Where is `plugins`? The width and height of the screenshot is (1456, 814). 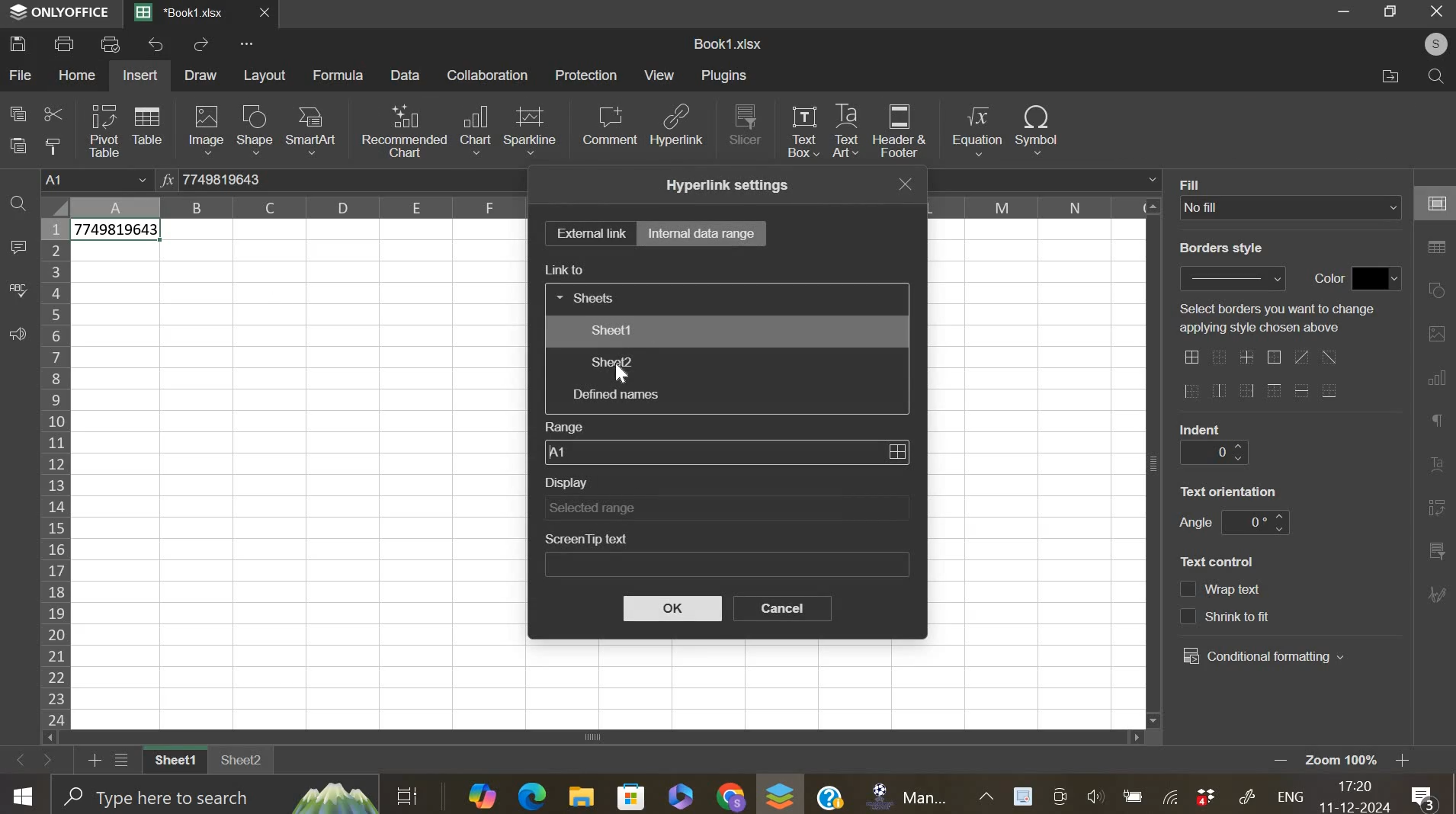 plugins is located at coordinates (723, 75).